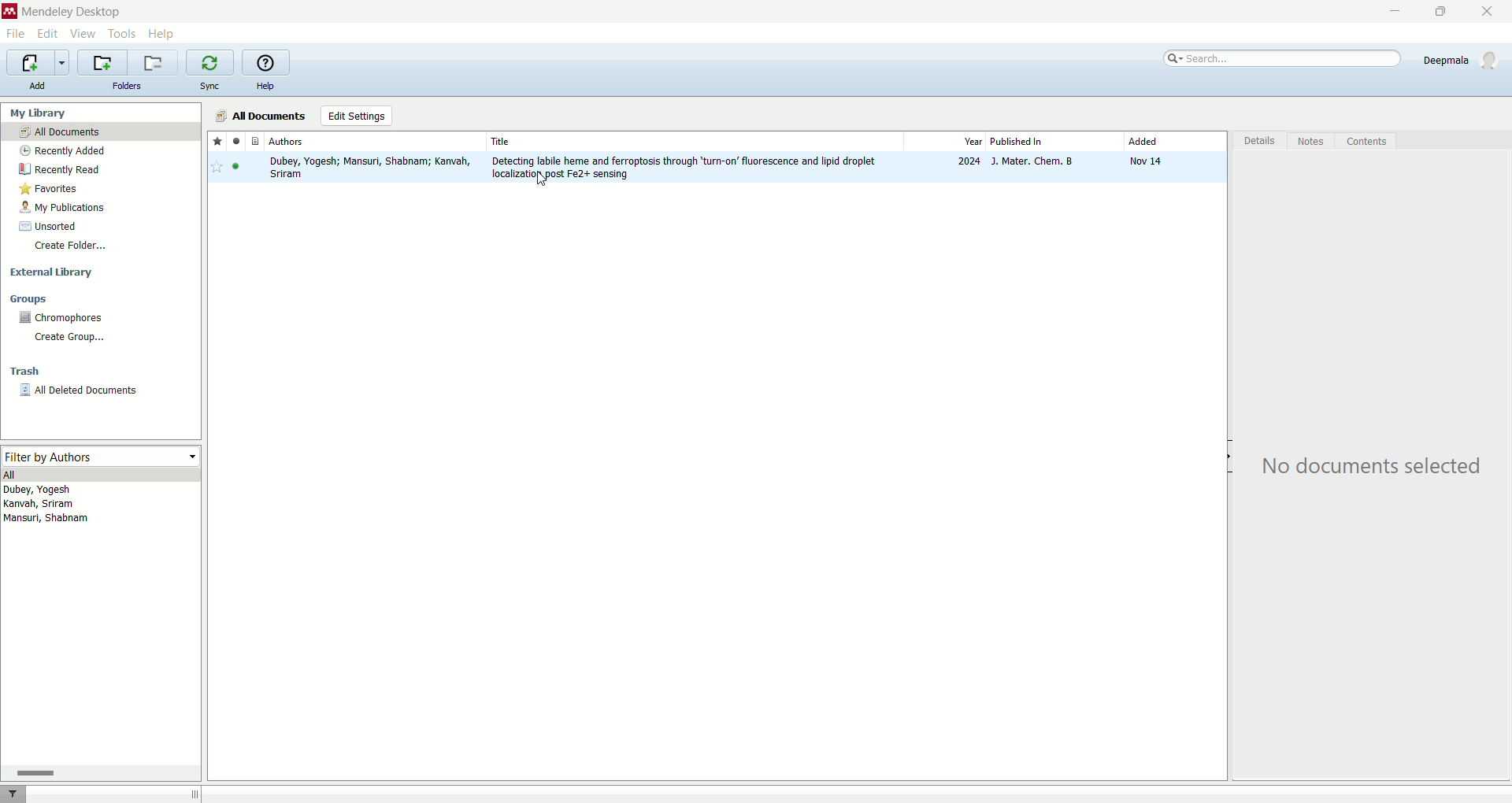  Describe the element at coordinates (1258, 142) in the screenshot. I see `detail` at that location.